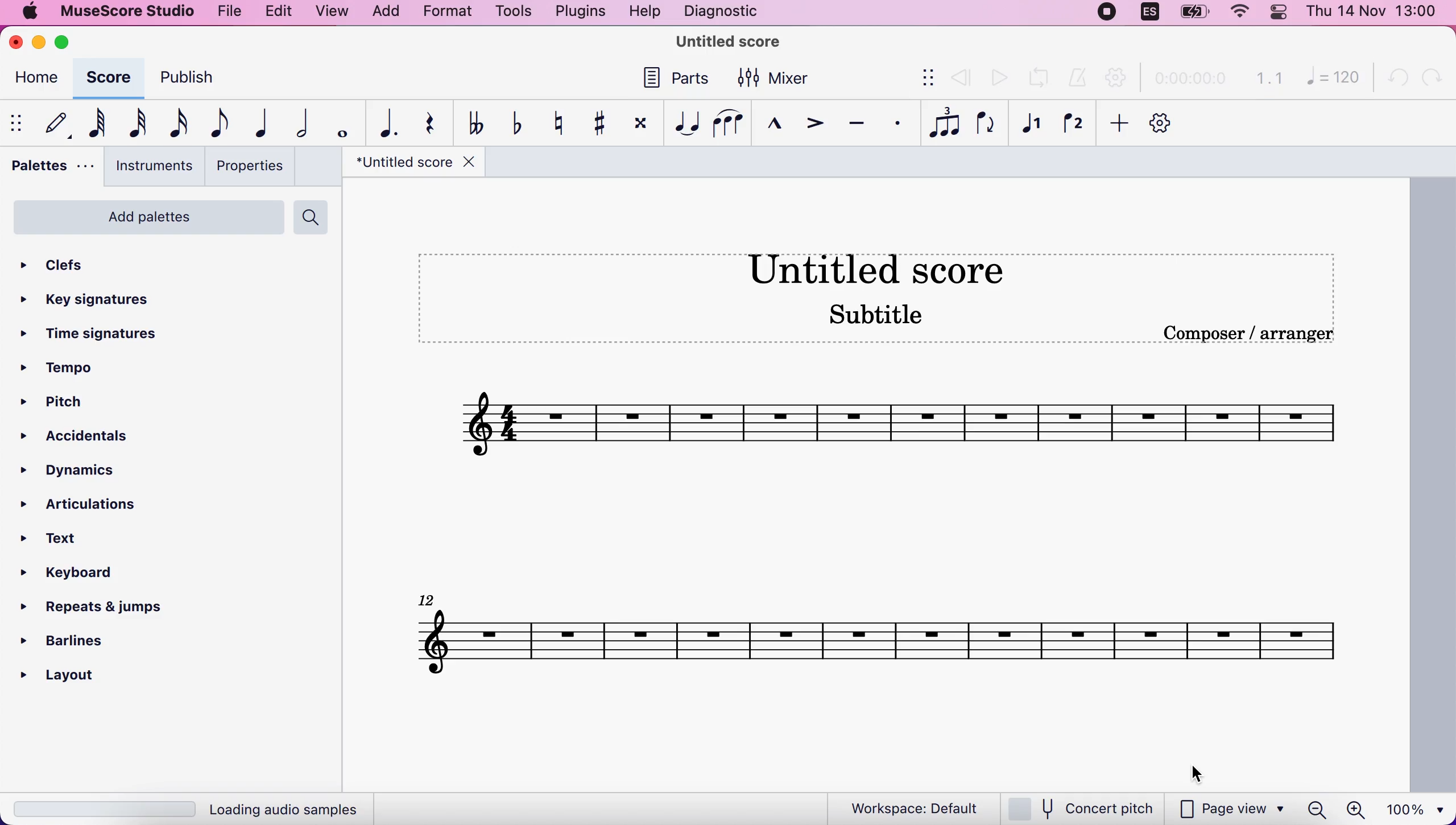 The image size is (1456, 825). Describe the element at coordinates (998, 76) in the screenshot. I see `play` at that location.